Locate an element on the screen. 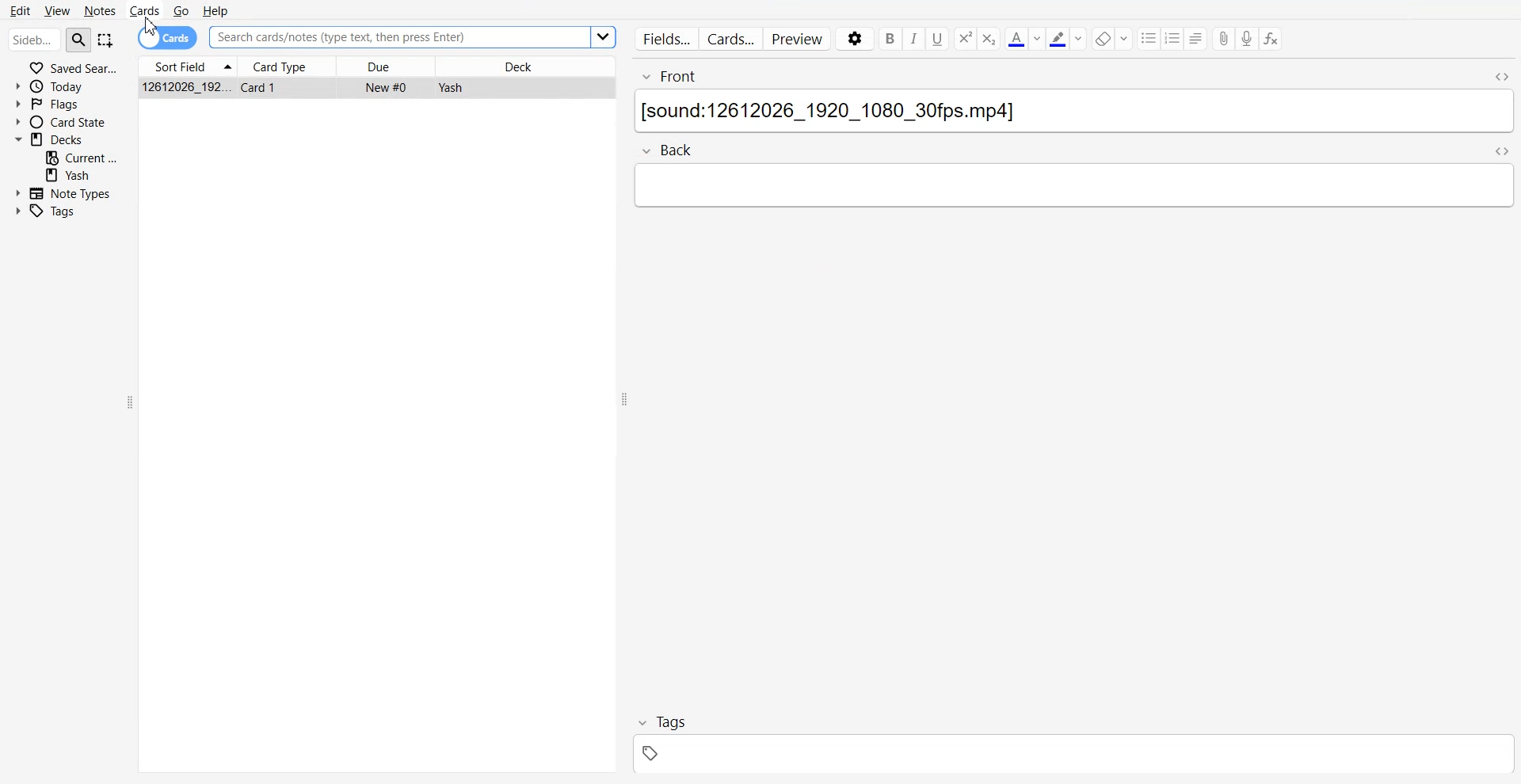 The width and height of the screenshot is (1521, 784). Current is located at coordinates (82, 157).